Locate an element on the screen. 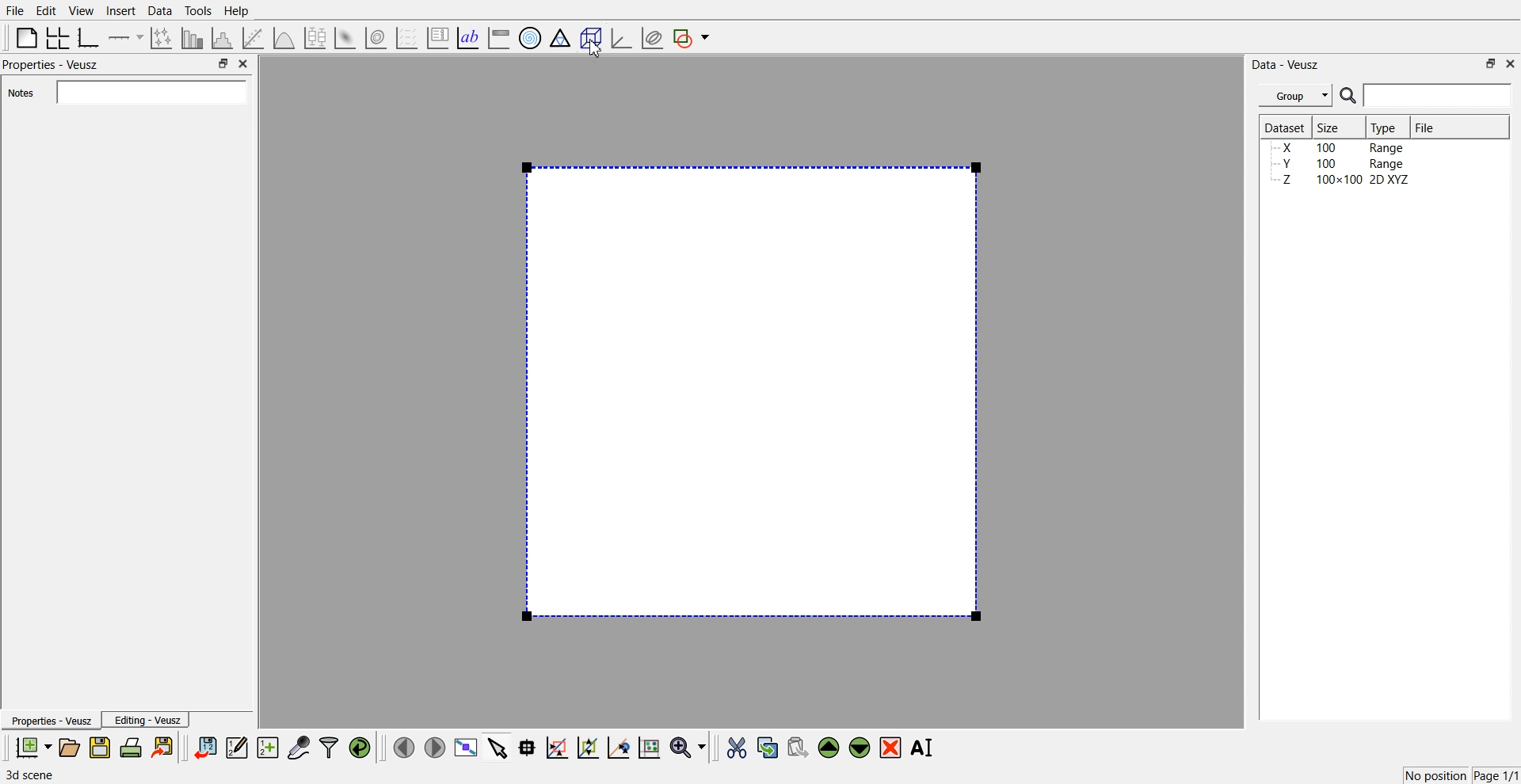  Plot key is located at coordinates (437, 38).